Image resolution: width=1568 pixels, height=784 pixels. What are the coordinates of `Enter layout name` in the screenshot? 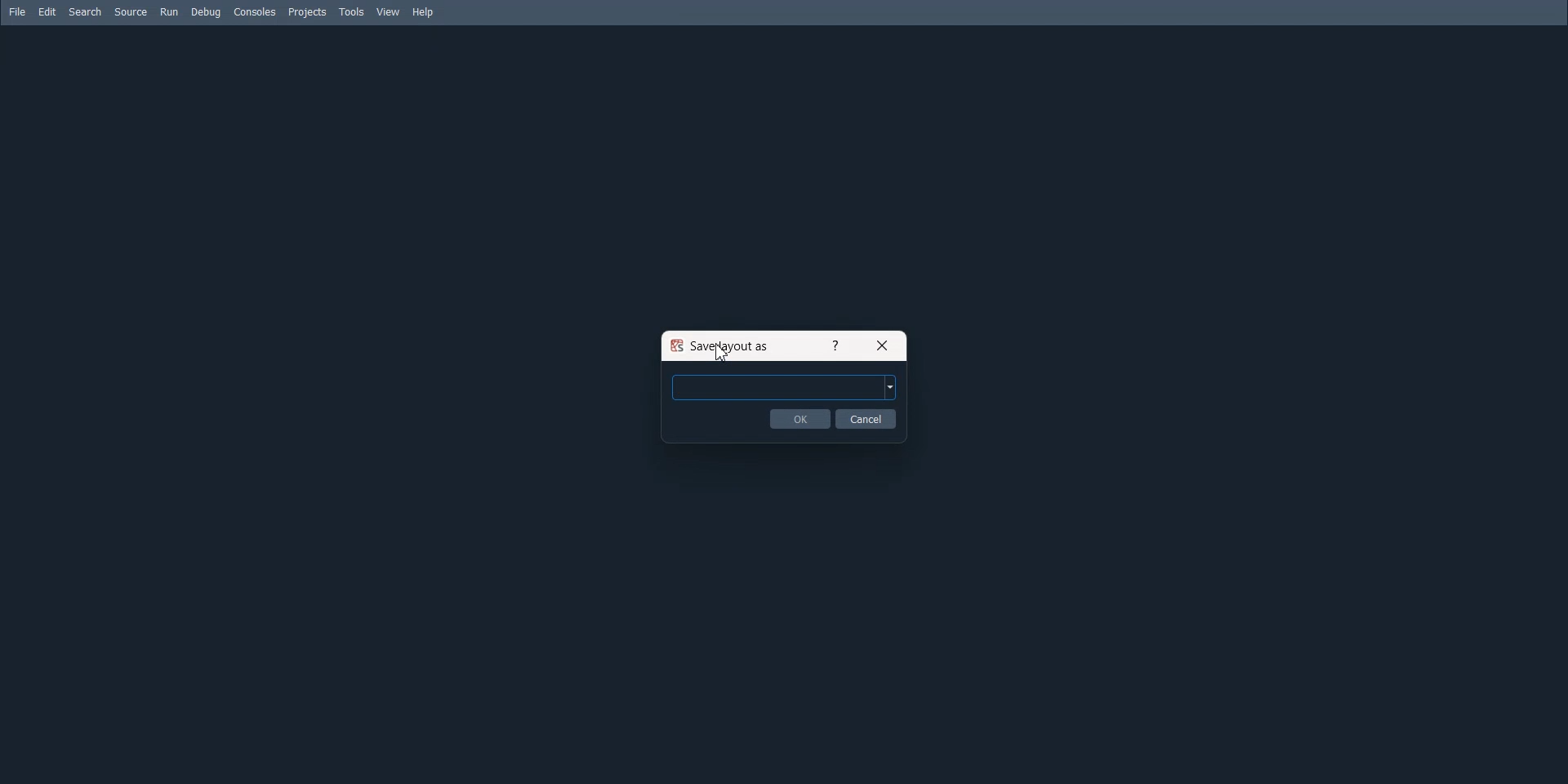 It's located at (786, 386).